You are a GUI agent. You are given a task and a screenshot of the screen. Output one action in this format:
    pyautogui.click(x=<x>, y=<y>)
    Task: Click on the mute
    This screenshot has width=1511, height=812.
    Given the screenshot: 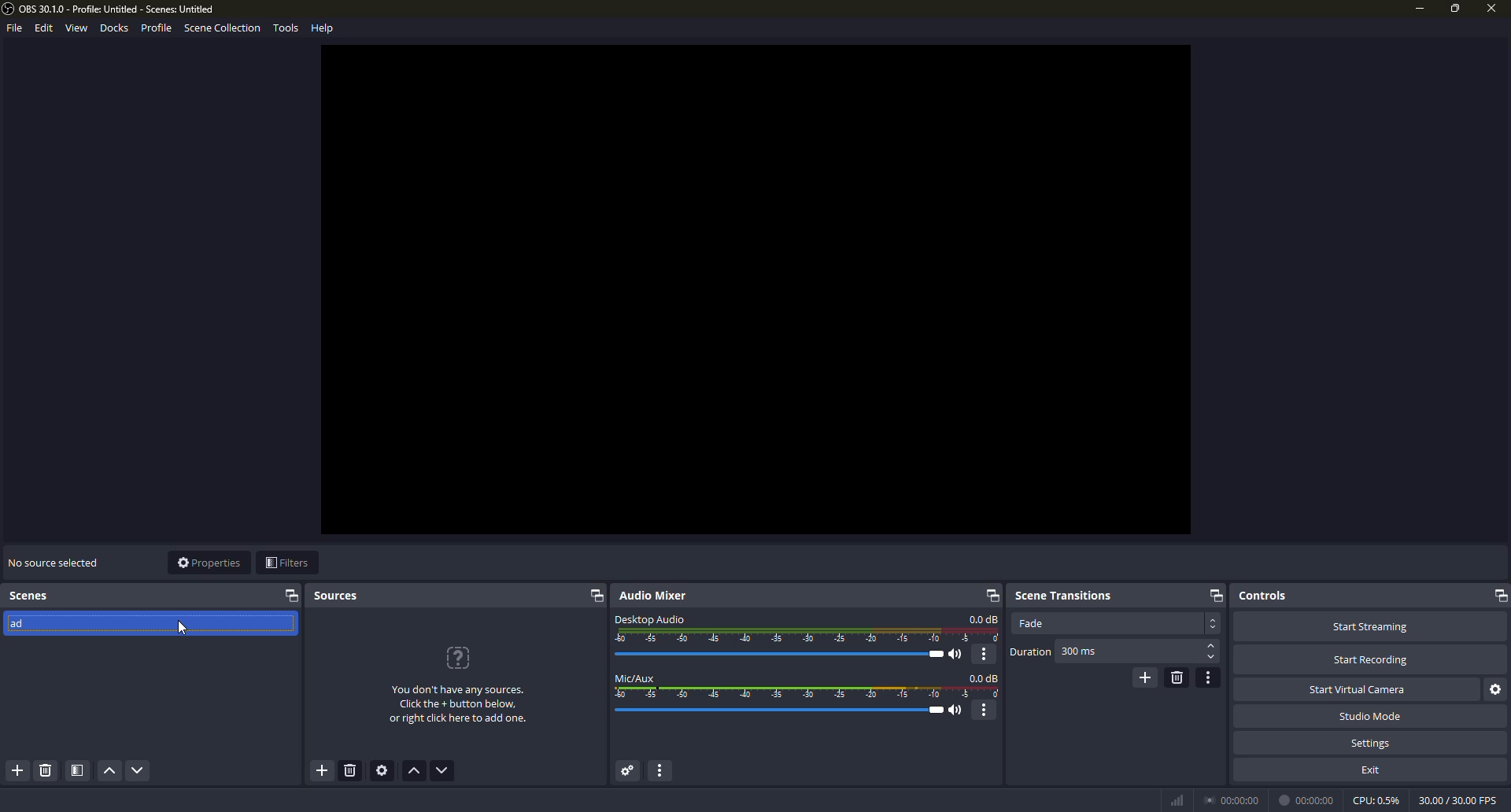 What is the action you would take?
    pyautogui.click(x=958, y=710)
    